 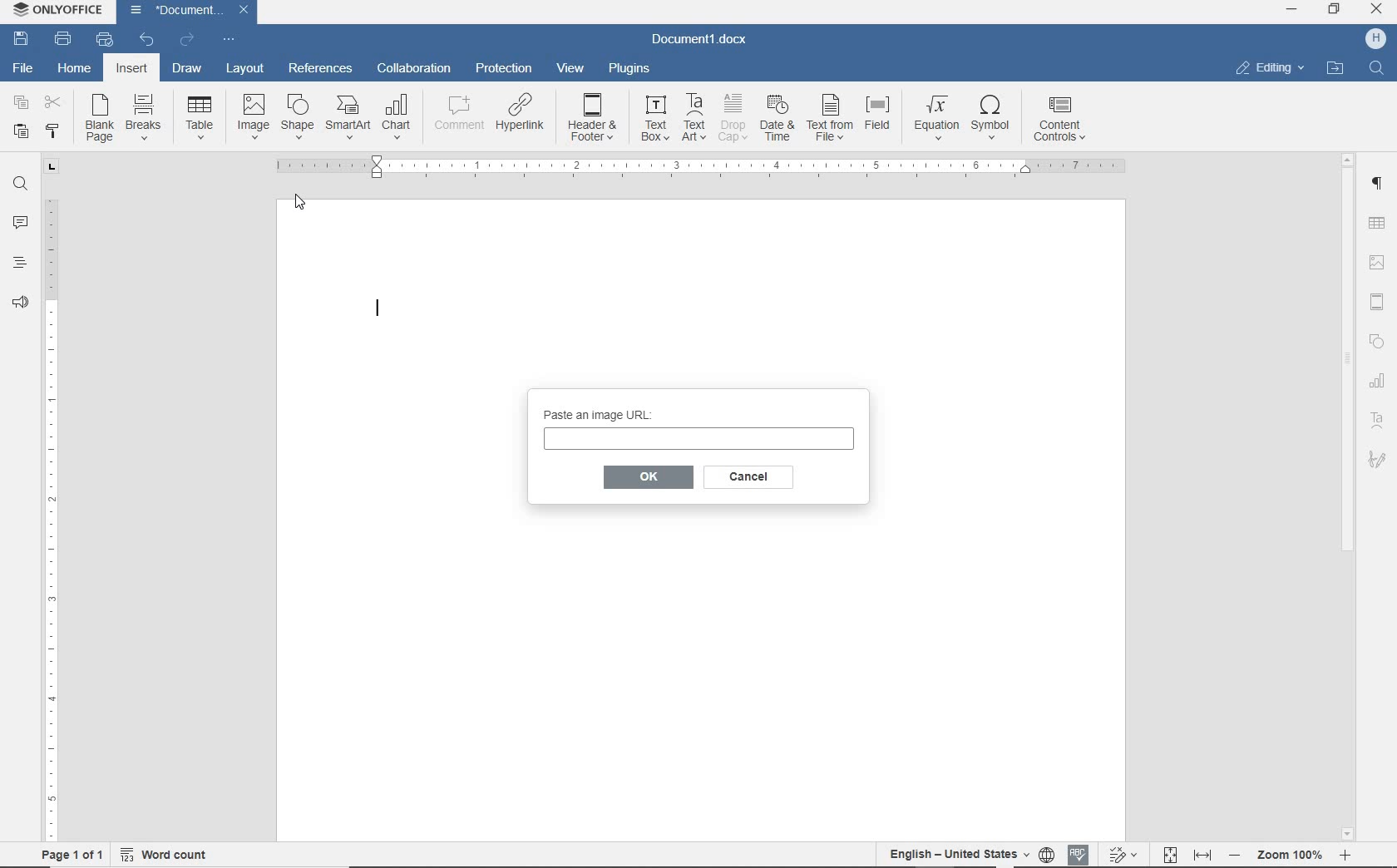 I want to click on headings, so click(x=18, y=262).